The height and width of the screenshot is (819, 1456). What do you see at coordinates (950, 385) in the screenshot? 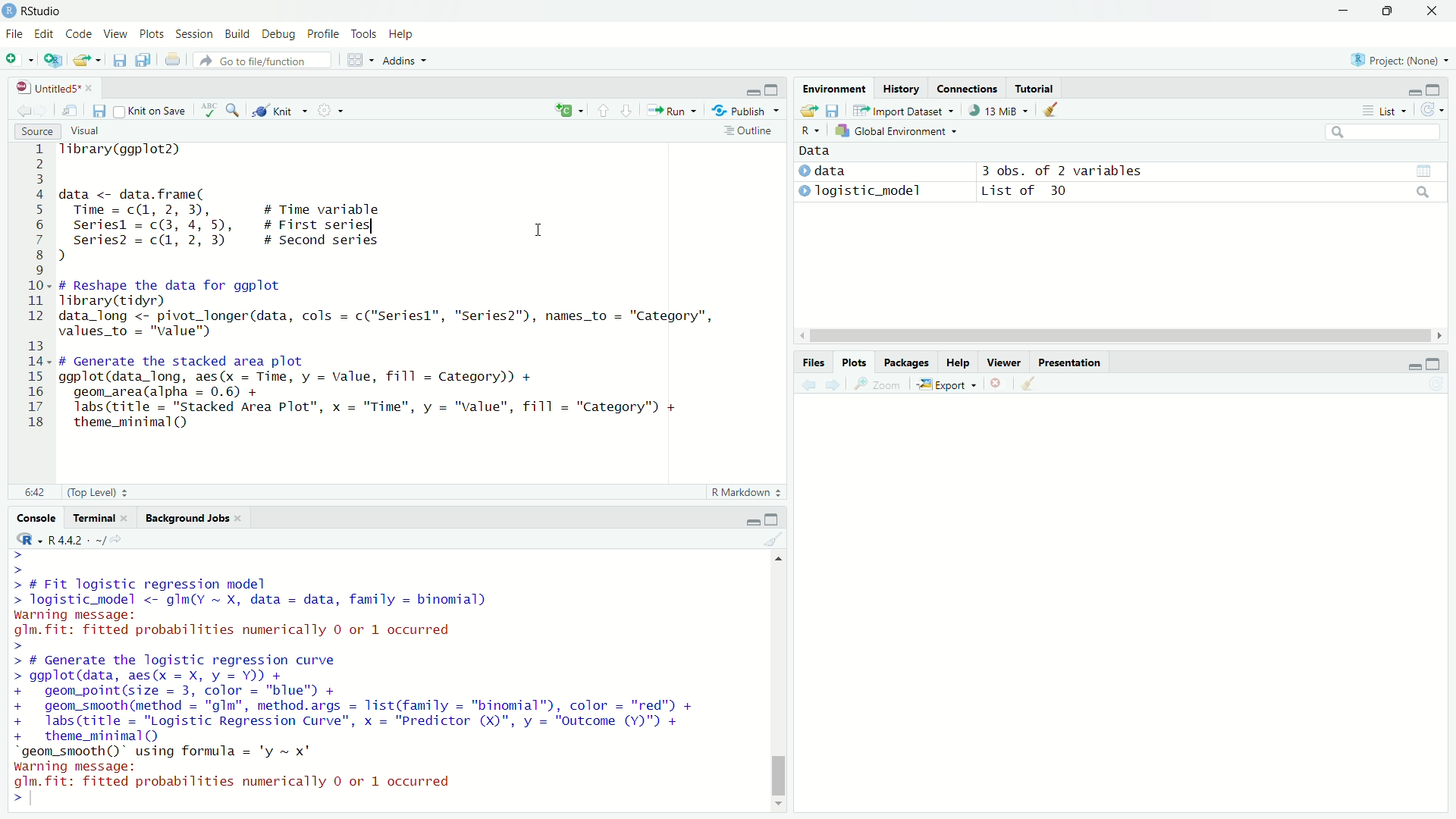
I see `Export ` at bounding box center [950, 385].